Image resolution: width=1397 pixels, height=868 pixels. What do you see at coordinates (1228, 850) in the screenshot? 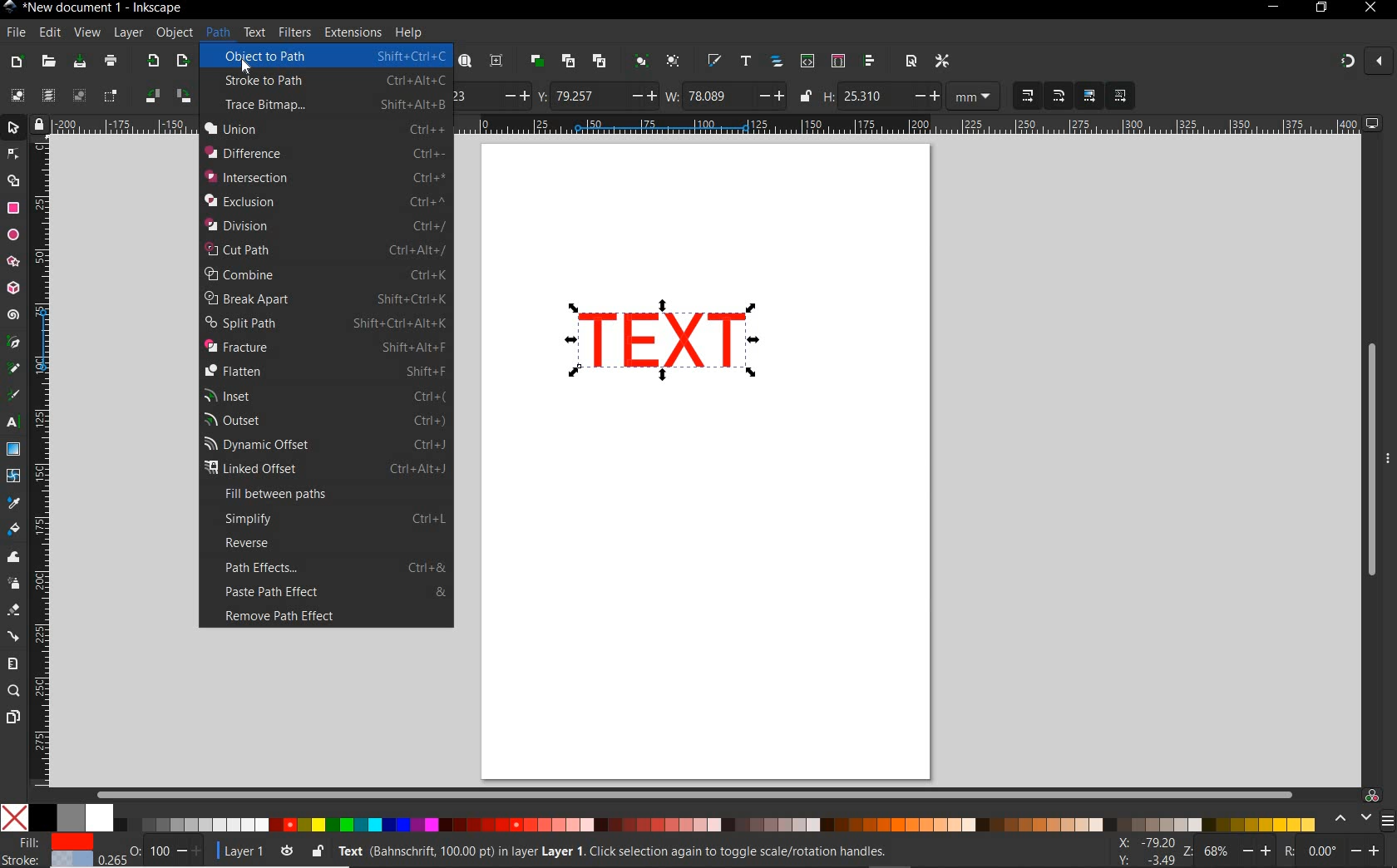
I see `ZOOM` at bounding box center [1228, 850].